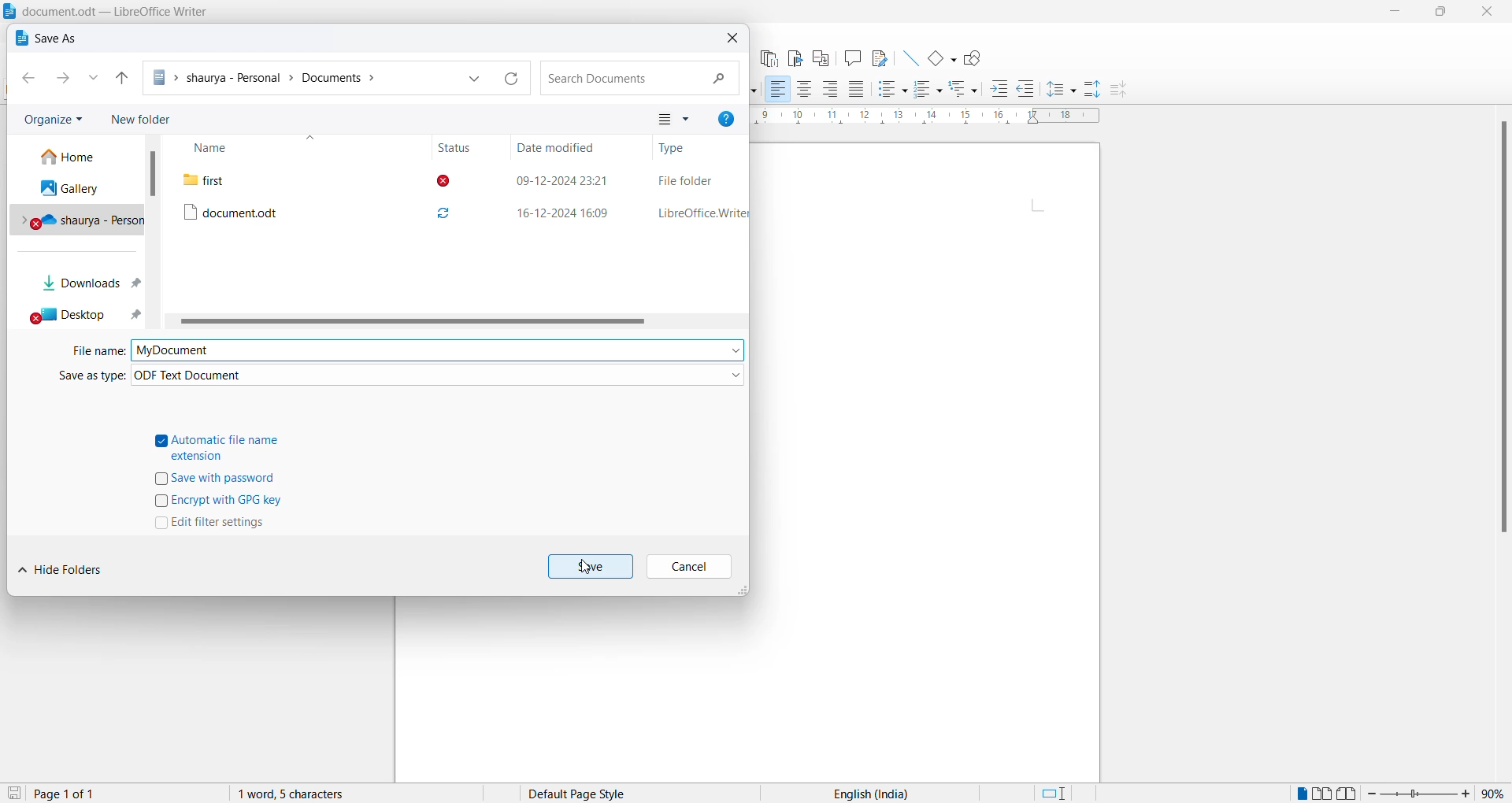 The image size is (1512, 803). Describe the element at coordinates (278, 179) in the screenshot. I see `first` at that location.